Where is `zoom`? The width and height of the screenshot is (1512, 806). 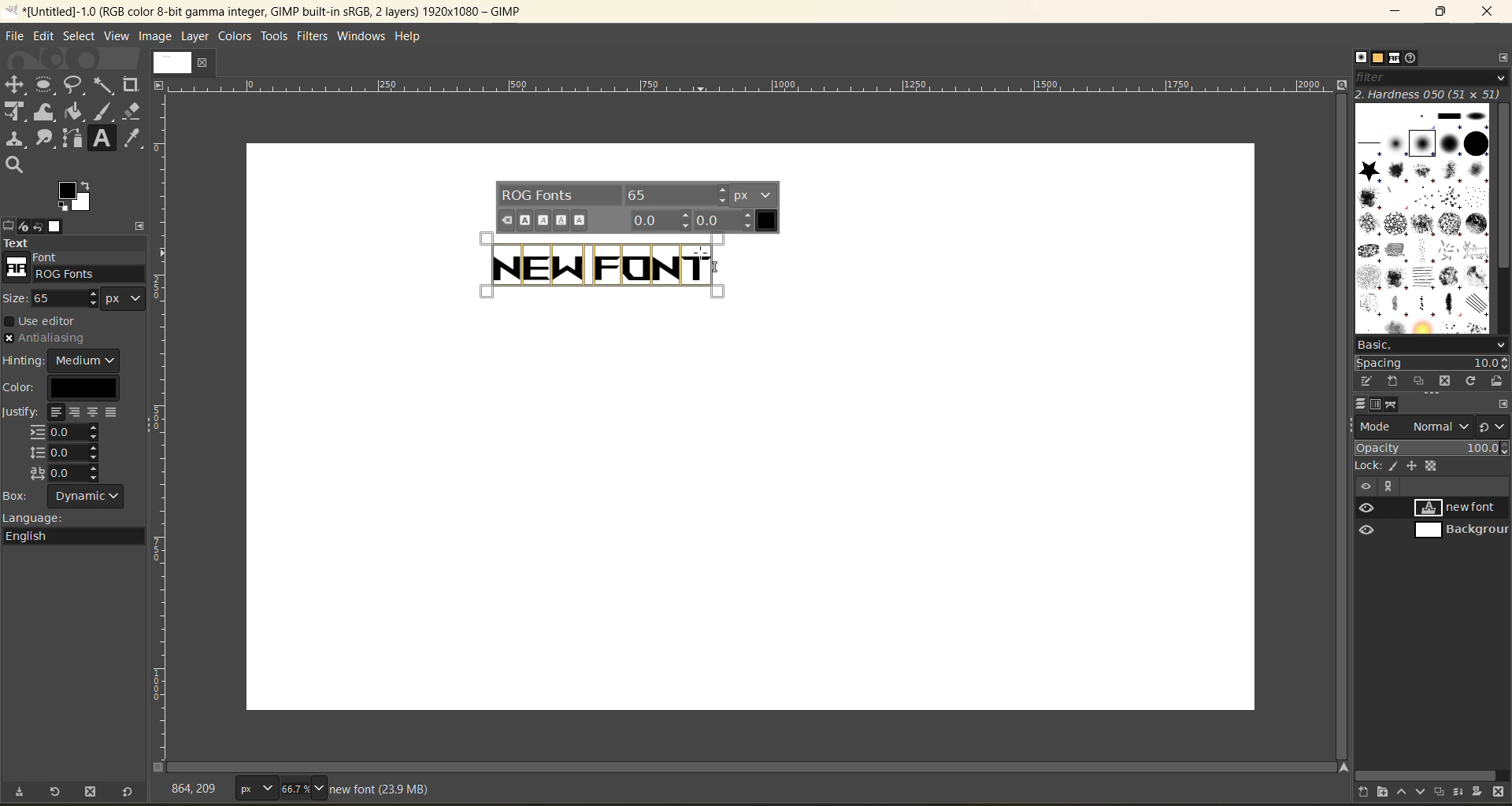 zoom is located at coordinates (305, 787).